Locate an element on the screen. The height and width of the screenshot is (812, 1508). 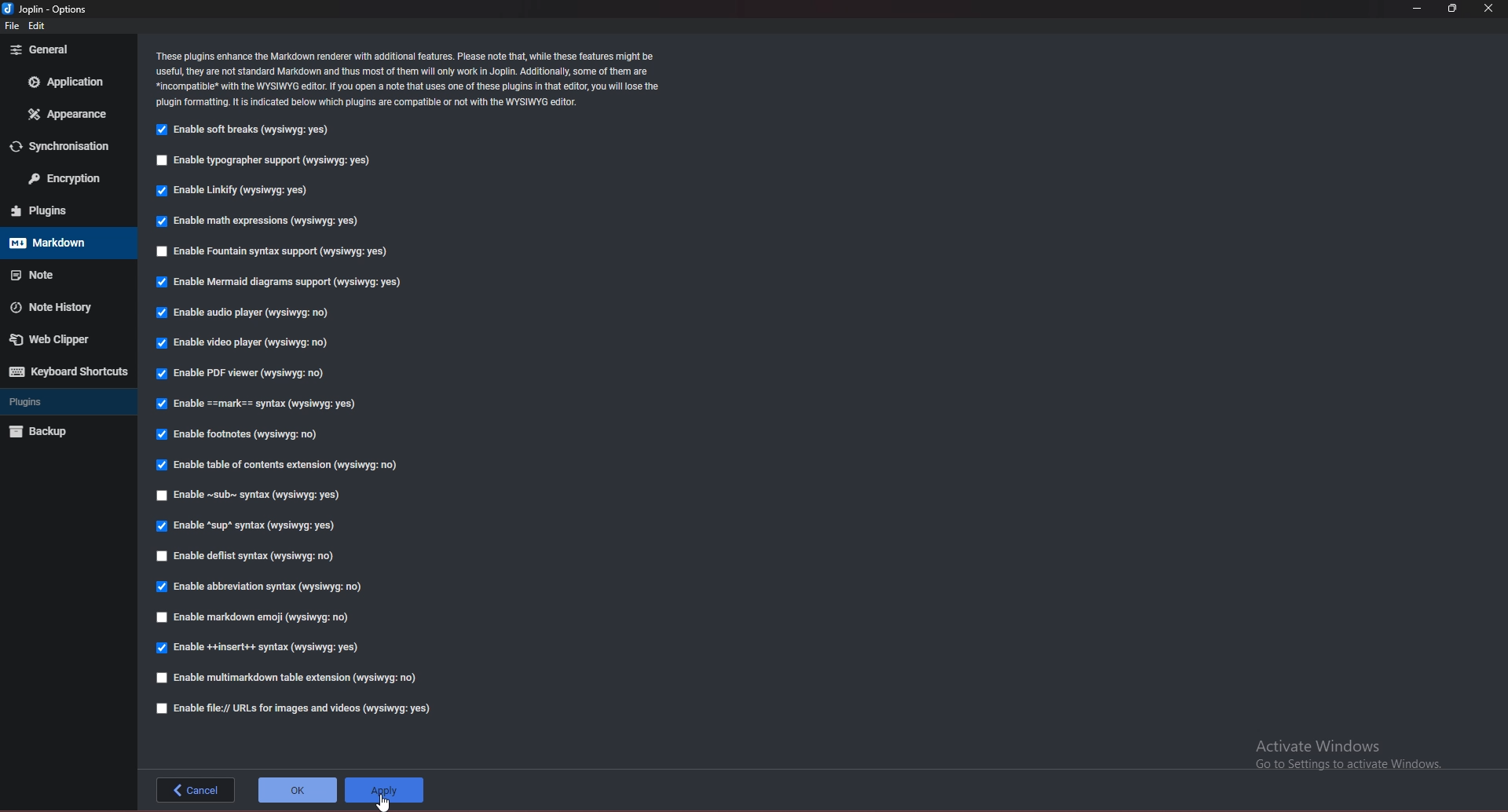
general is located at coordinates (69, 49).